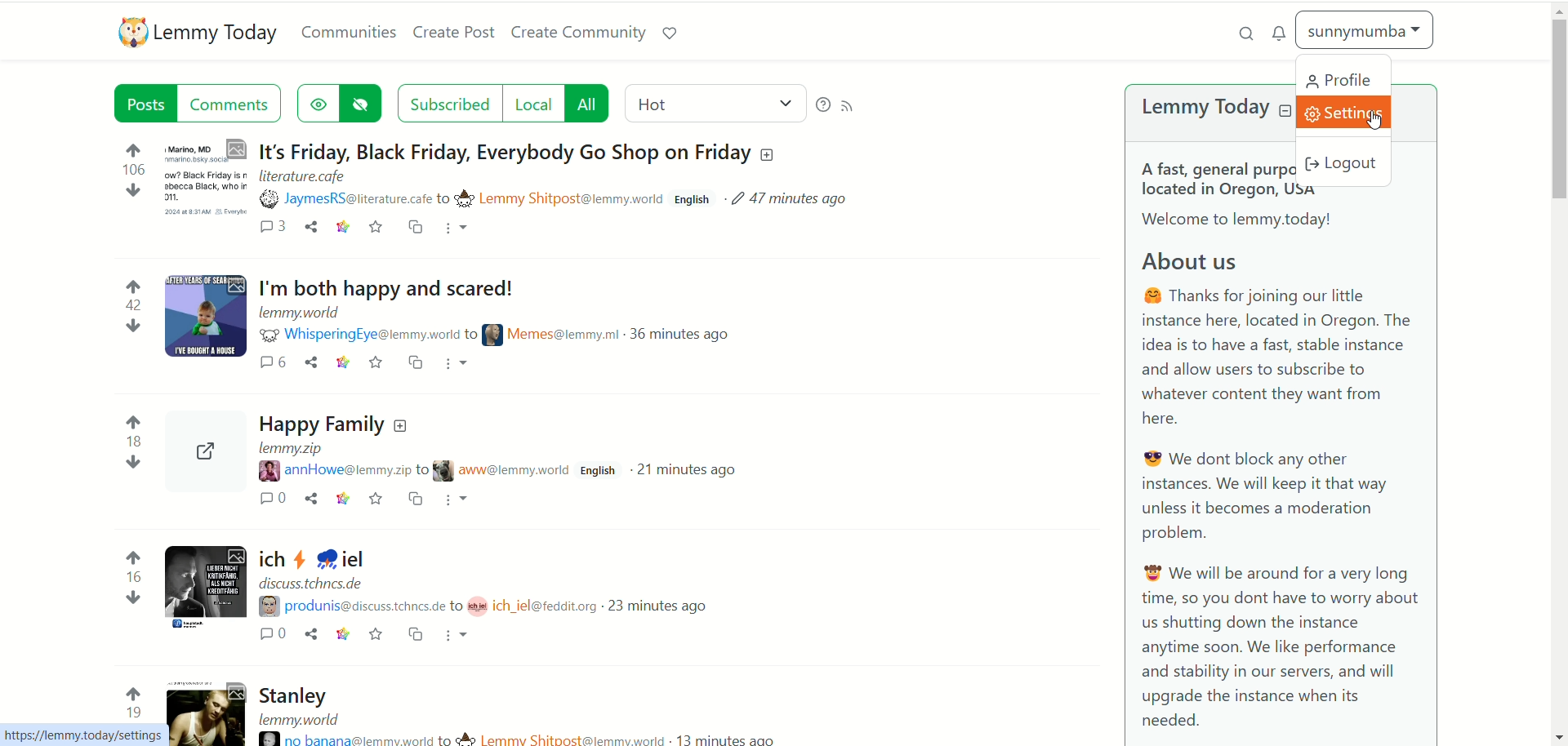  What do you see at coordinates (80, 736) in the screenshot?
I see `https://lemmv.todav/setting` at bounding box center [80, 736].